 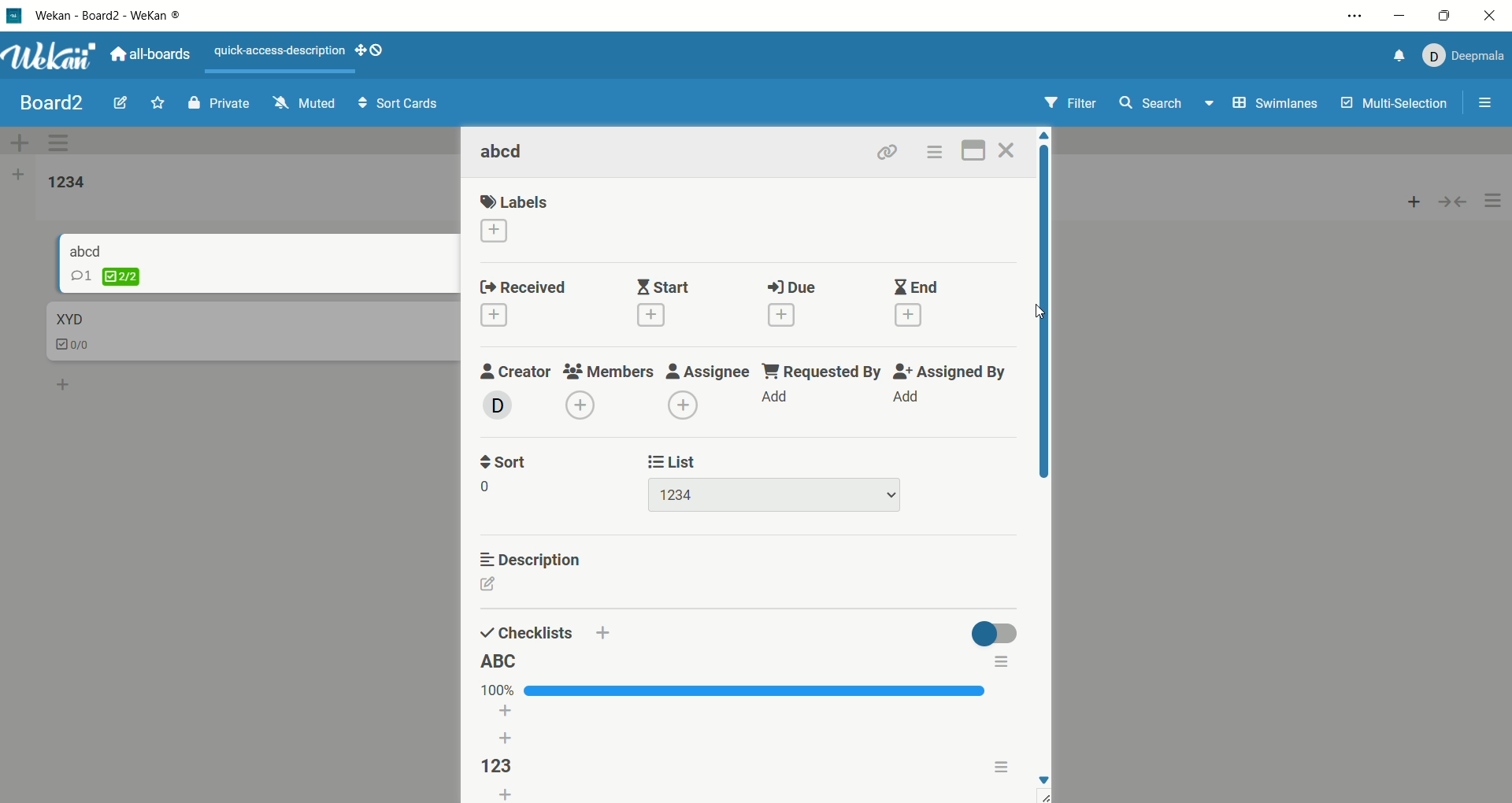 I want to click on description, so click(x=530, y=557).